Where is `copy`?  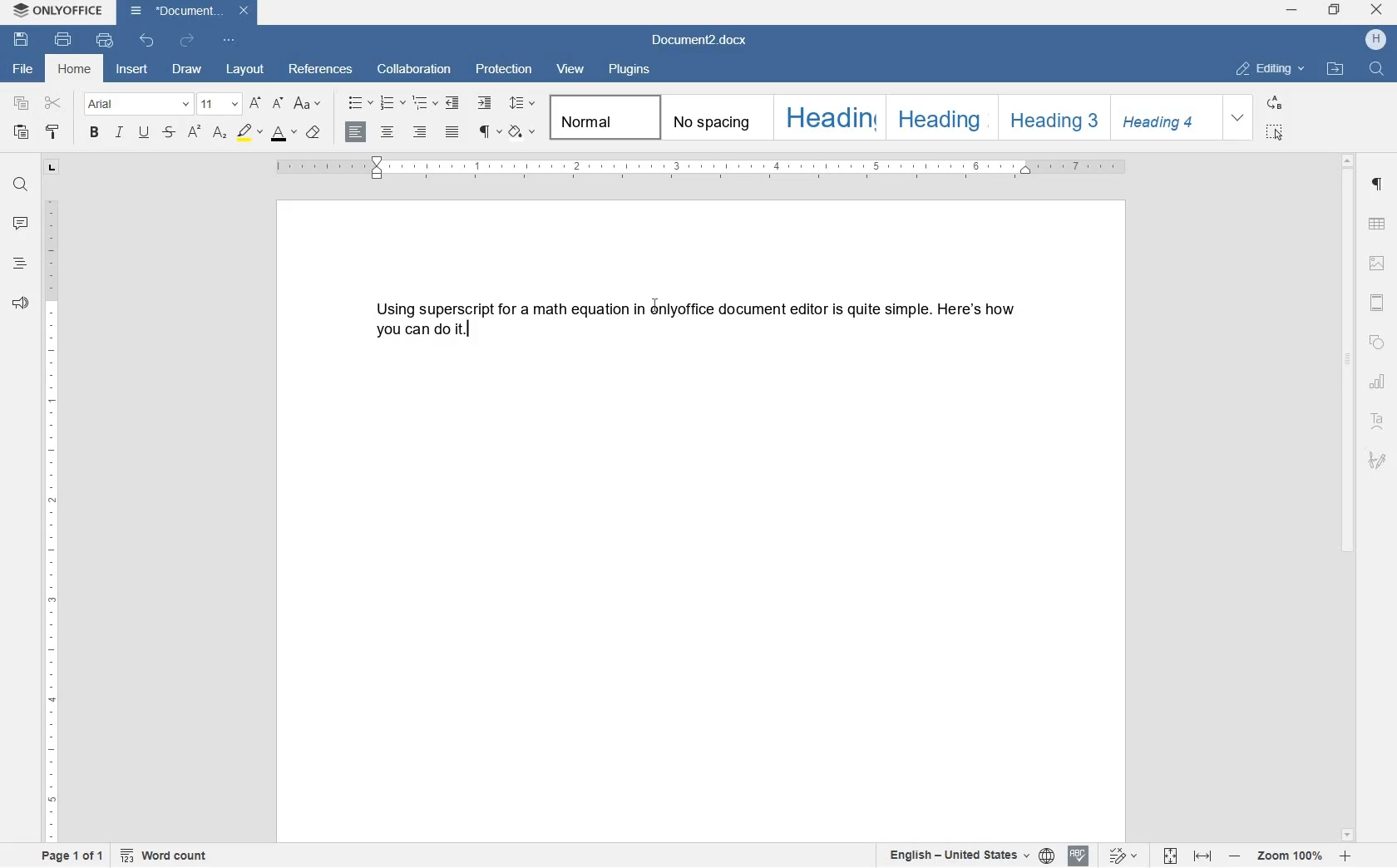 copy is located at coordinates (22, 104).